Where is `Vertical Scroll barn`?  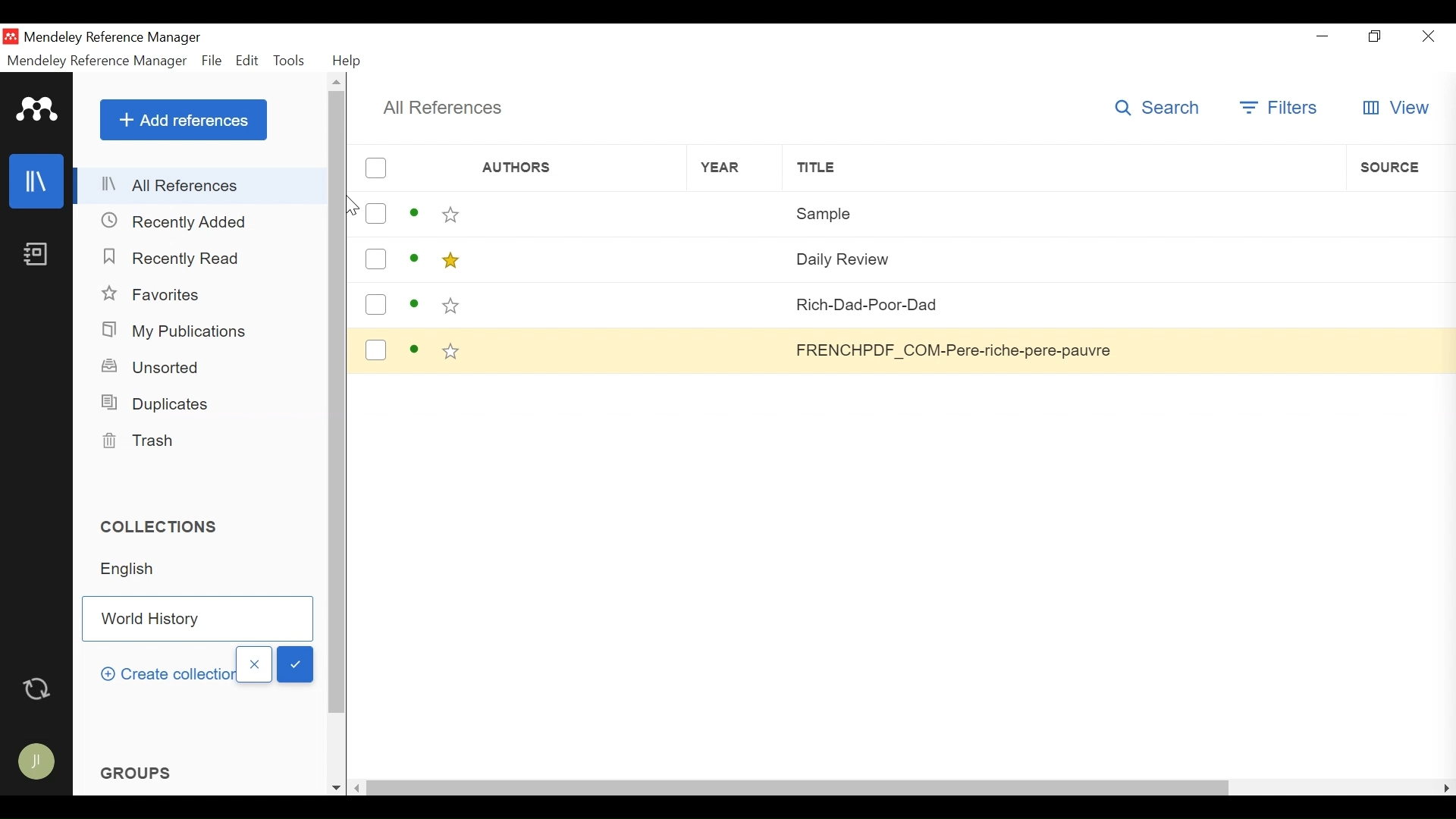 Vertical Scroll barn is located at coordinates (336, 416).